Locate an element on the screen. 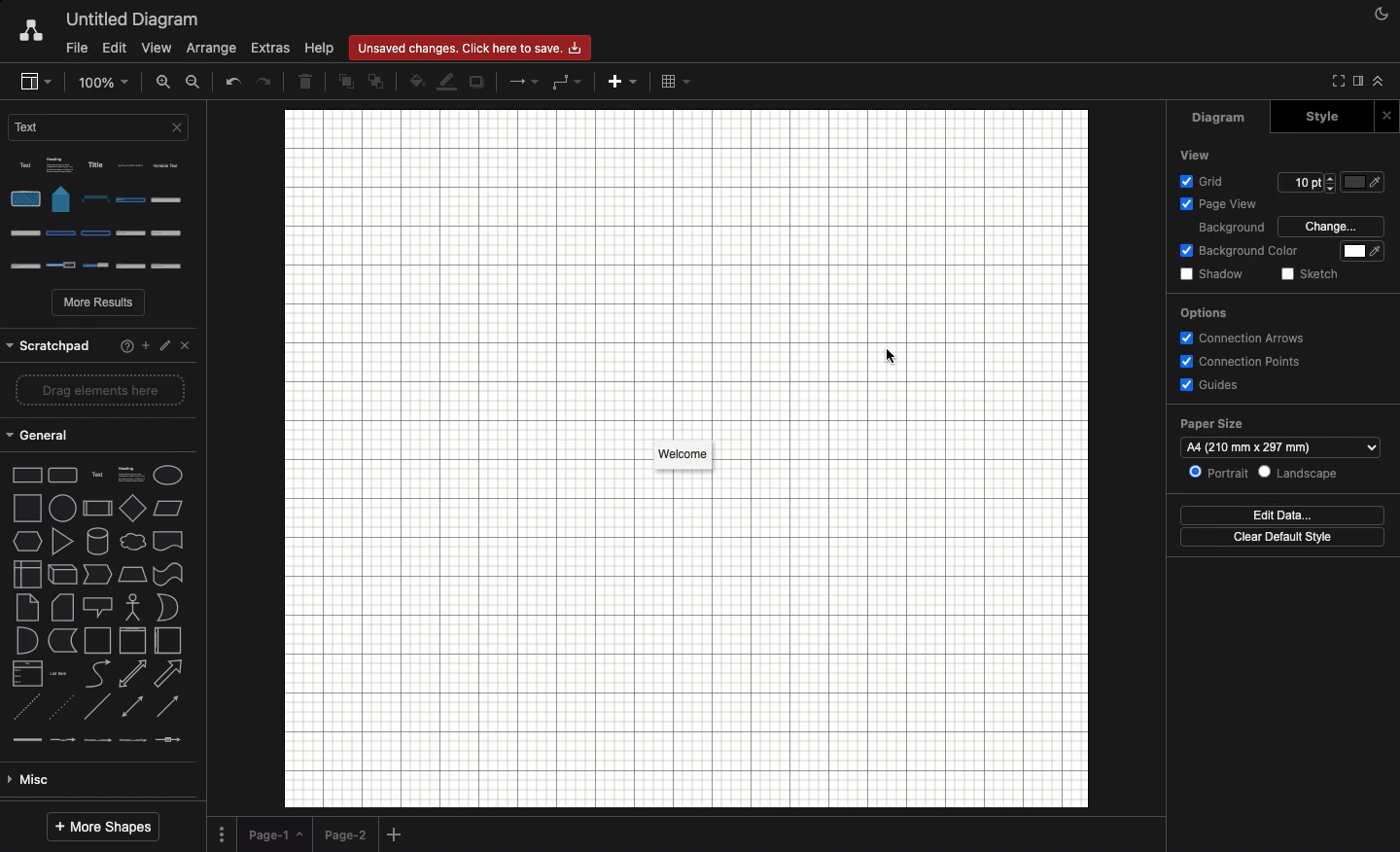 The height and width of the screenshot is (852, 1400). options is located at coordinates (1243, 307).